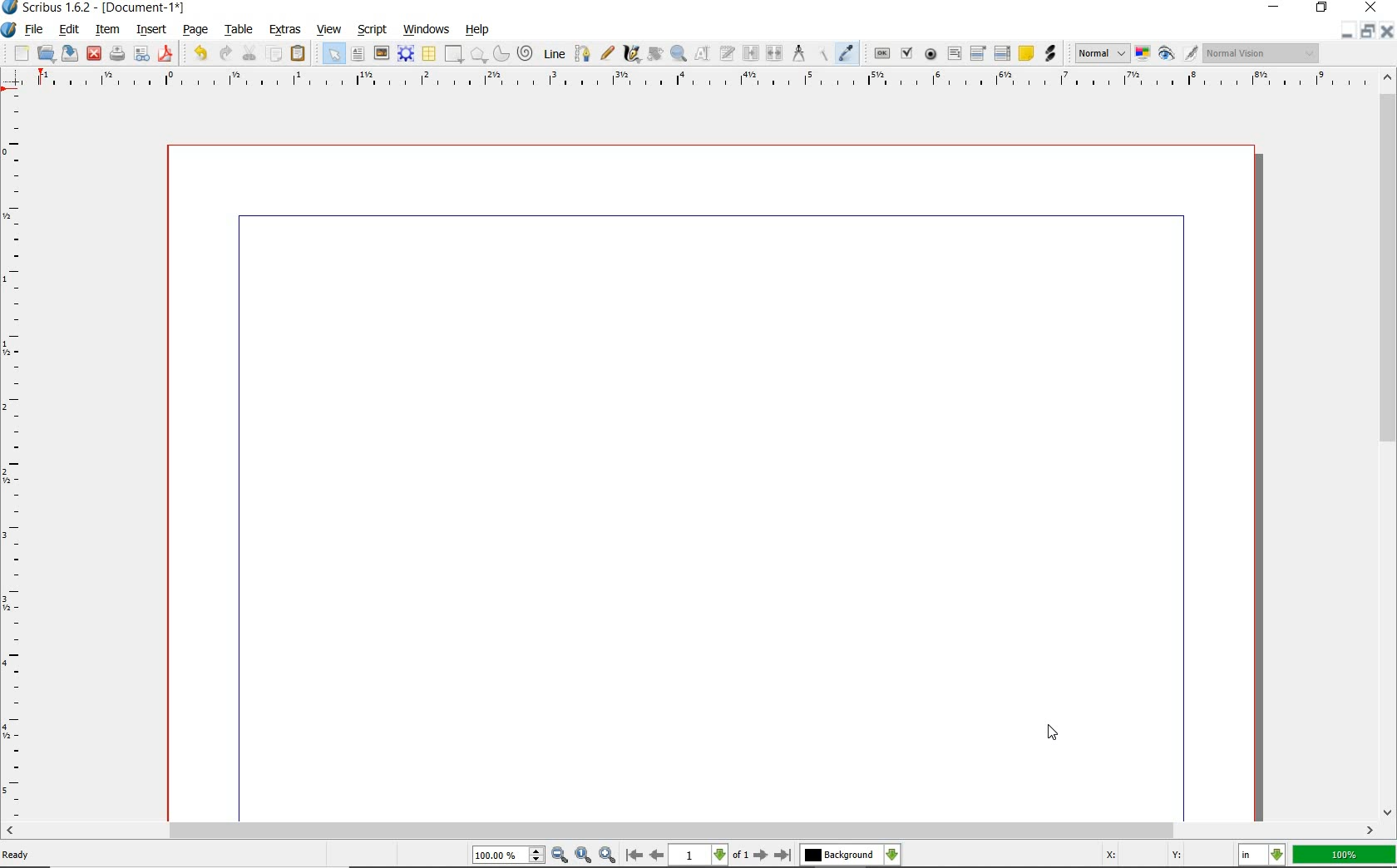  What do you see at coordinates (195, 30) in the screenshot?
I see `page` at bounding box center [195, 30].